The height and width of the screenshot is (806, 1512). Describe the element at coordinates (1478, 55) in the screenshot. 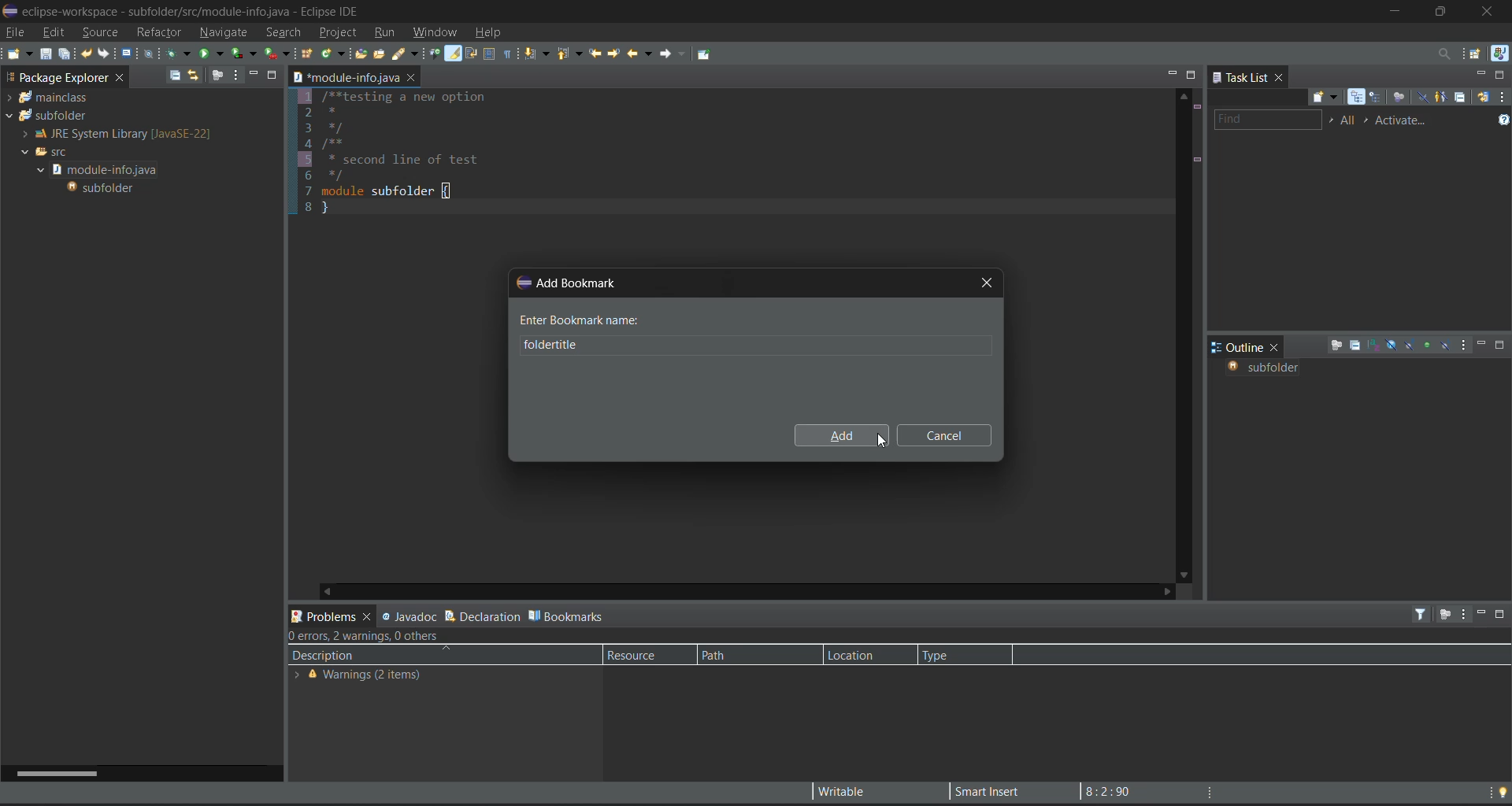

I see `open perspective` at that location.